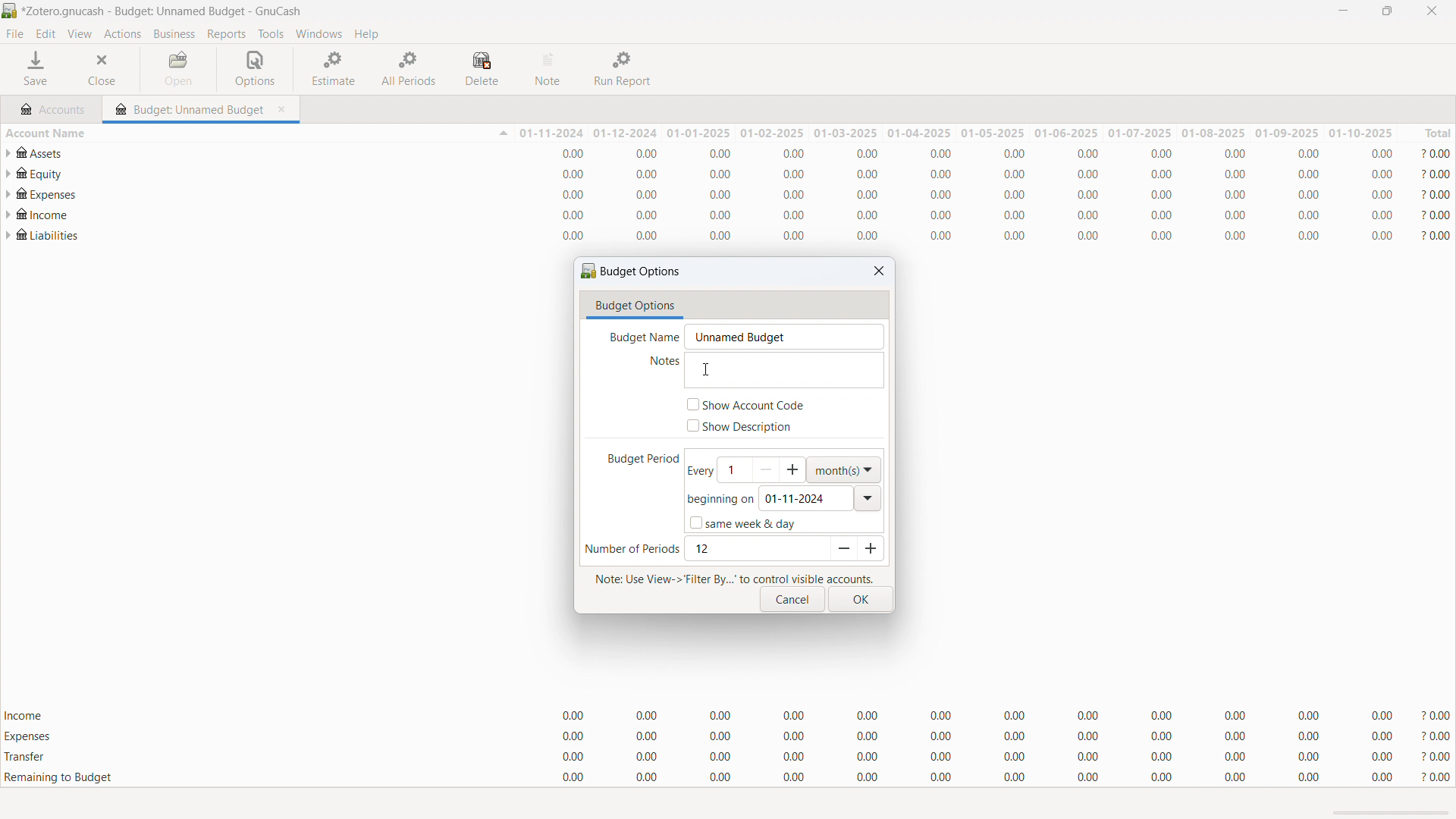 This screenshot has height=819, width=1456. What do you see at coordinates (163, 11) in the screenshot?
I see `file name` at bounding box center [163, 11].